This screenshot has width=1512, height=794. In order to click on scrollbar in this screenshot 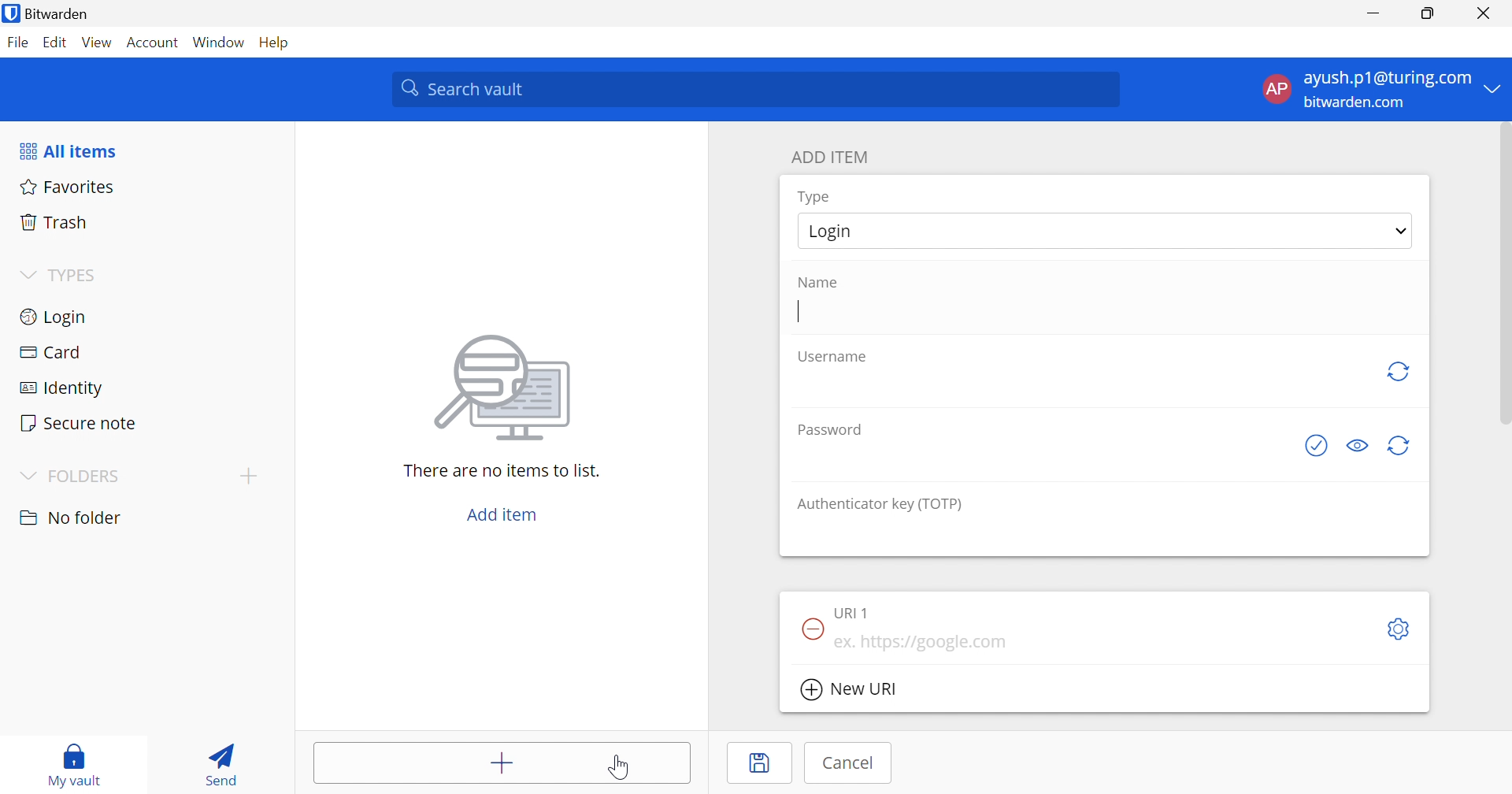, I will do `click(1503, 273)`.